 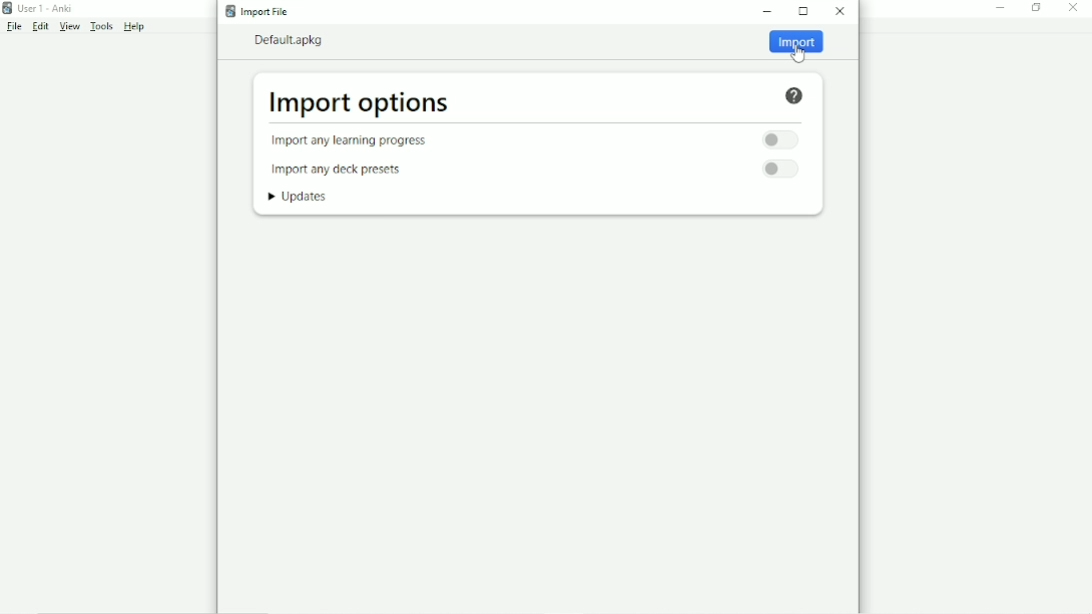 What do you see at coordinates (796, 46) in the screenshot?
I see `Import` at bounding box center [796, 46].